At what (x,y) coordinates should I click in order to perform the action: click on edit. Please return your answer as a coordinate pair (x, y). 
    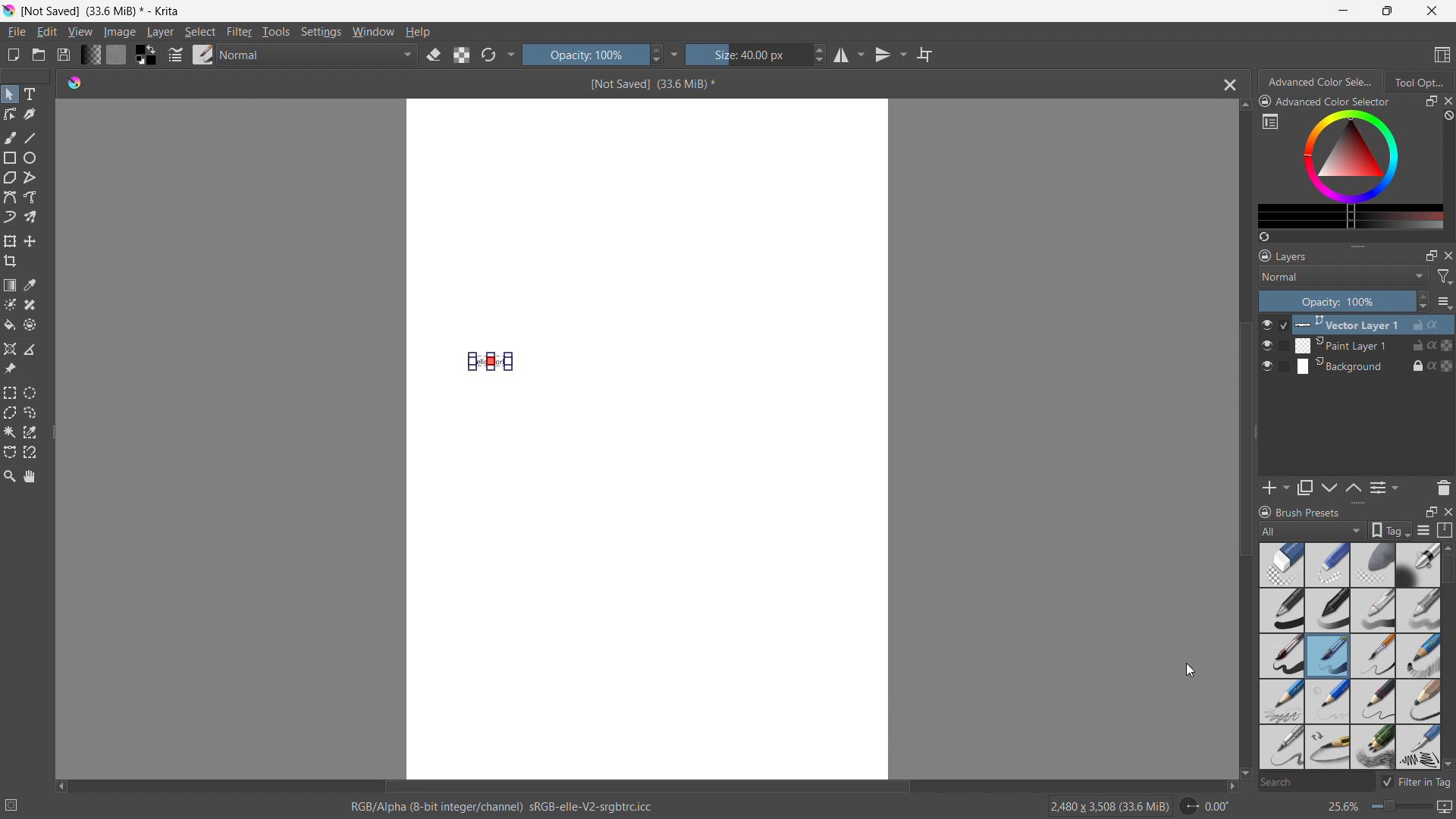
    Looking at the image, I should click on (46, 33).